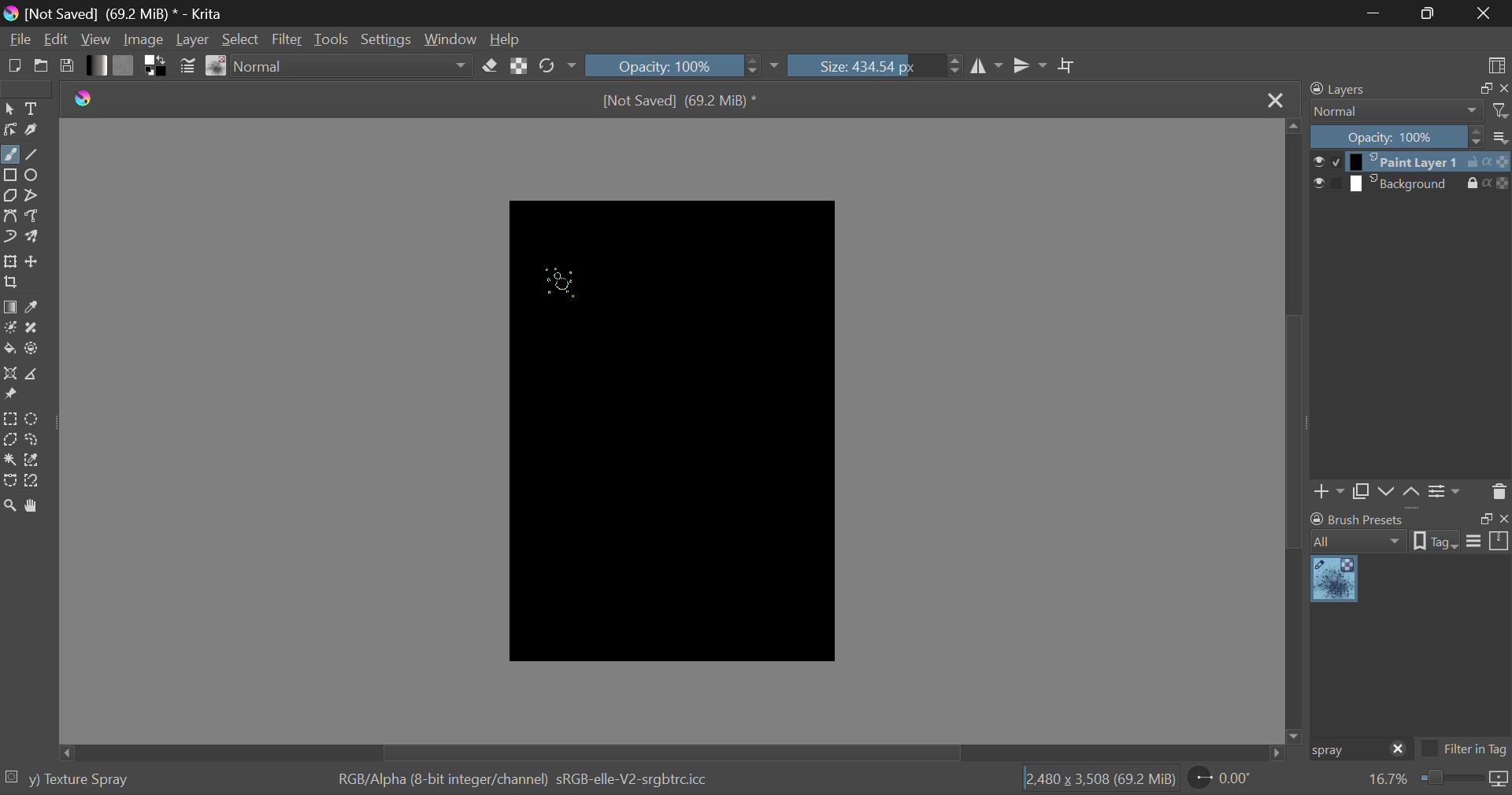 This screenshot has width=1512, height=795. I want to click on Layer, so click(194, 39).